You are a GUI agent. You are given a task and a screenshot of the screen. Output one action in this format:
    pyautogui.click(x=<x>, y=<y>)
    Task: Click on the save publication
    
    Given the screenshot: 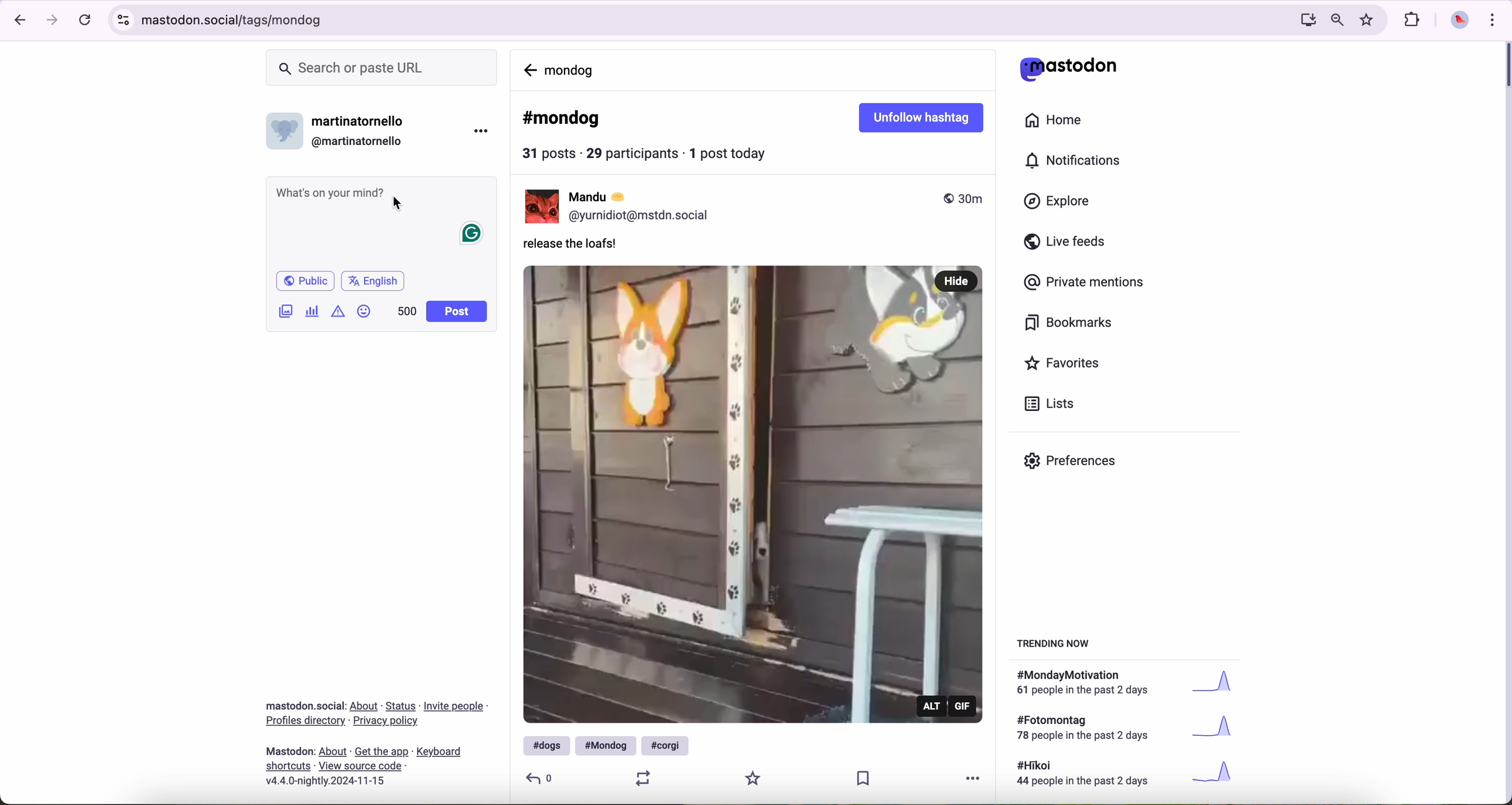 What is the action you would take?
    pyautogui.click(x=868, y=780)
    